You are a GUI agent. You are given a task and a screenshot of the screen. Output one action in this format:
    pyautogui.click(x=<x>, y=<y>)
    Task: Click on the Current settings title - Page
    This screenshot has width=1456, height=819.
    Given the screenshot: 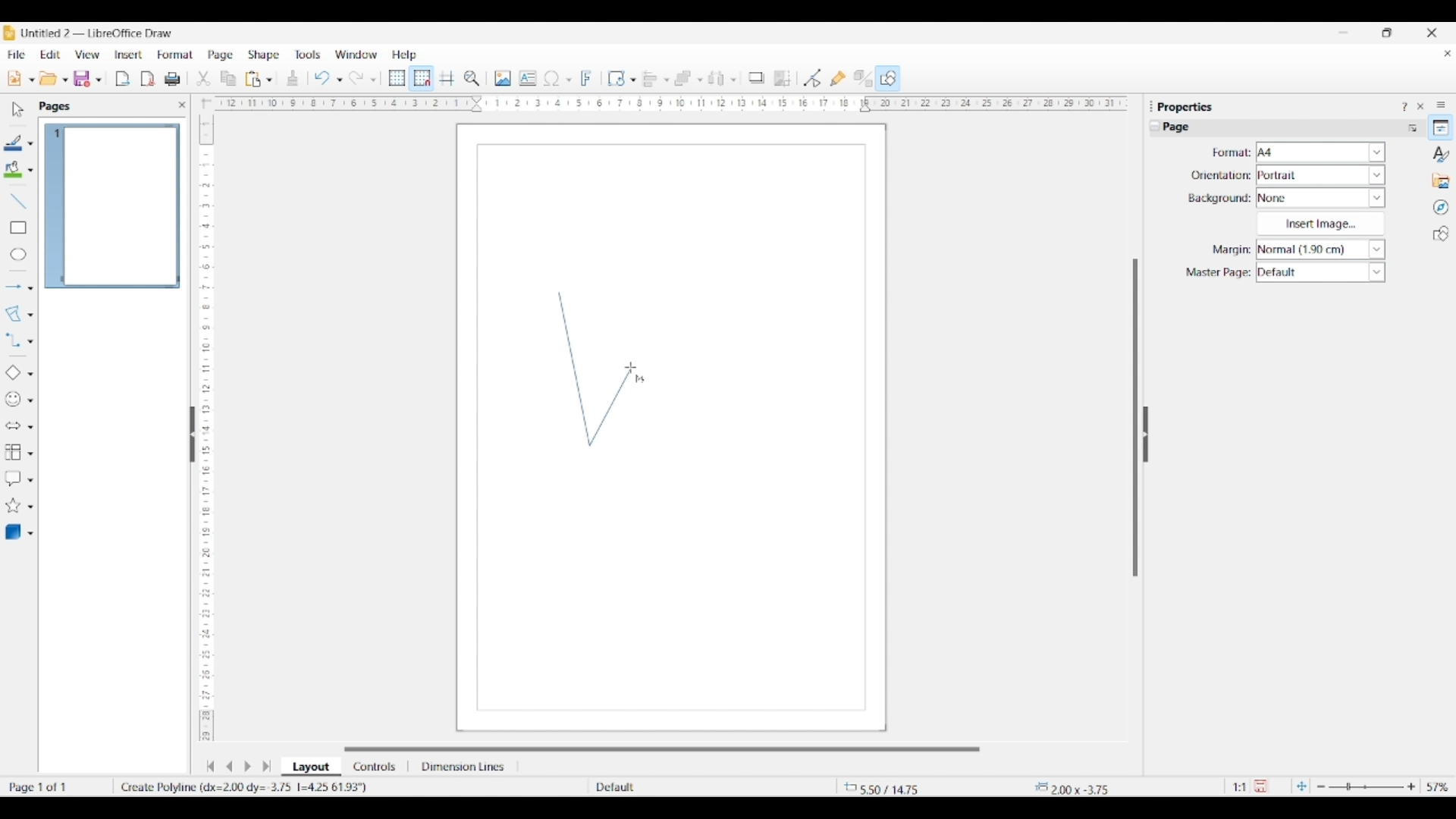 What is the action you would take?
    pyautogui.click(x=1183, y=129)
    